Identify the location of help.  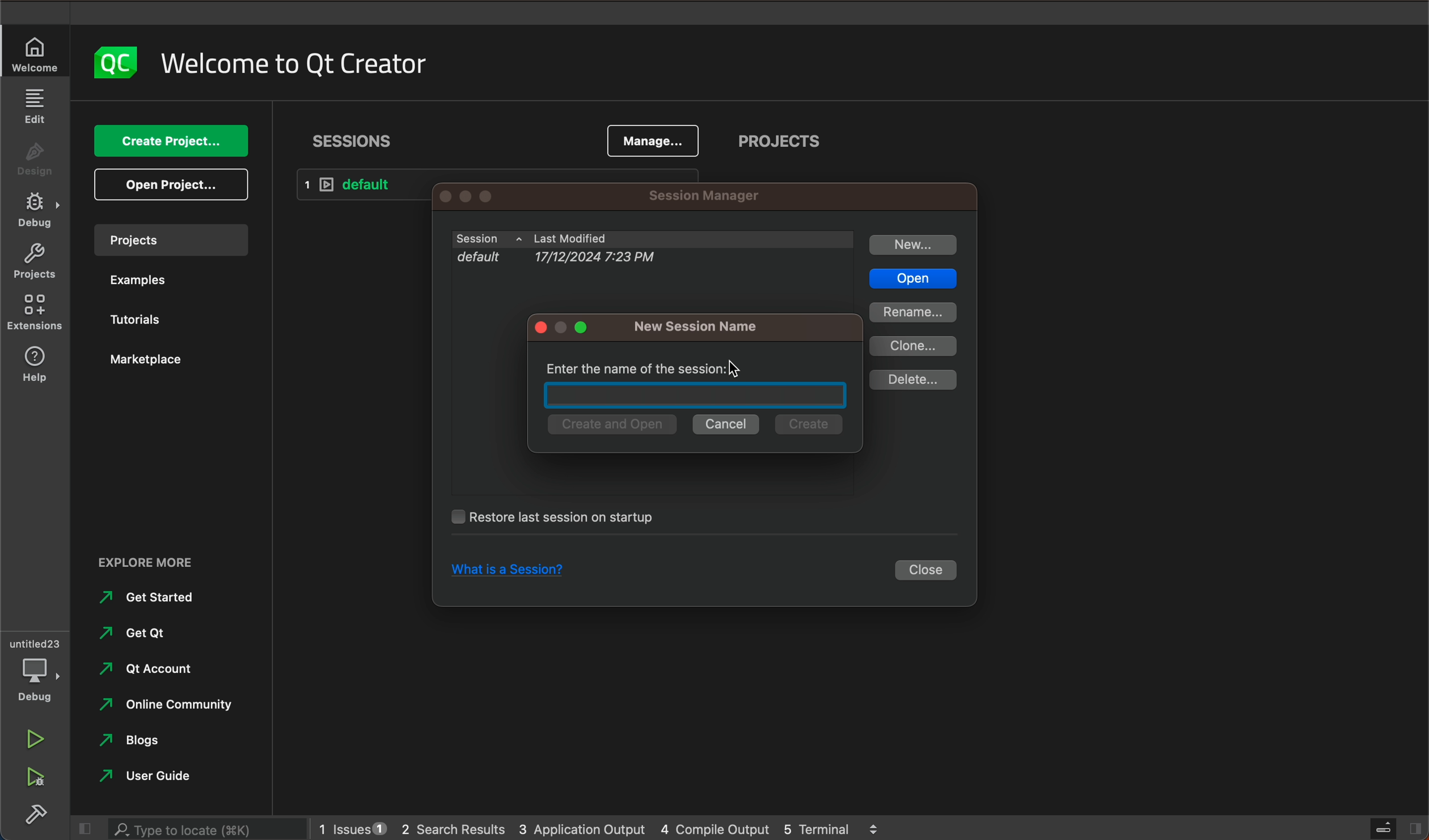
(38, 366).